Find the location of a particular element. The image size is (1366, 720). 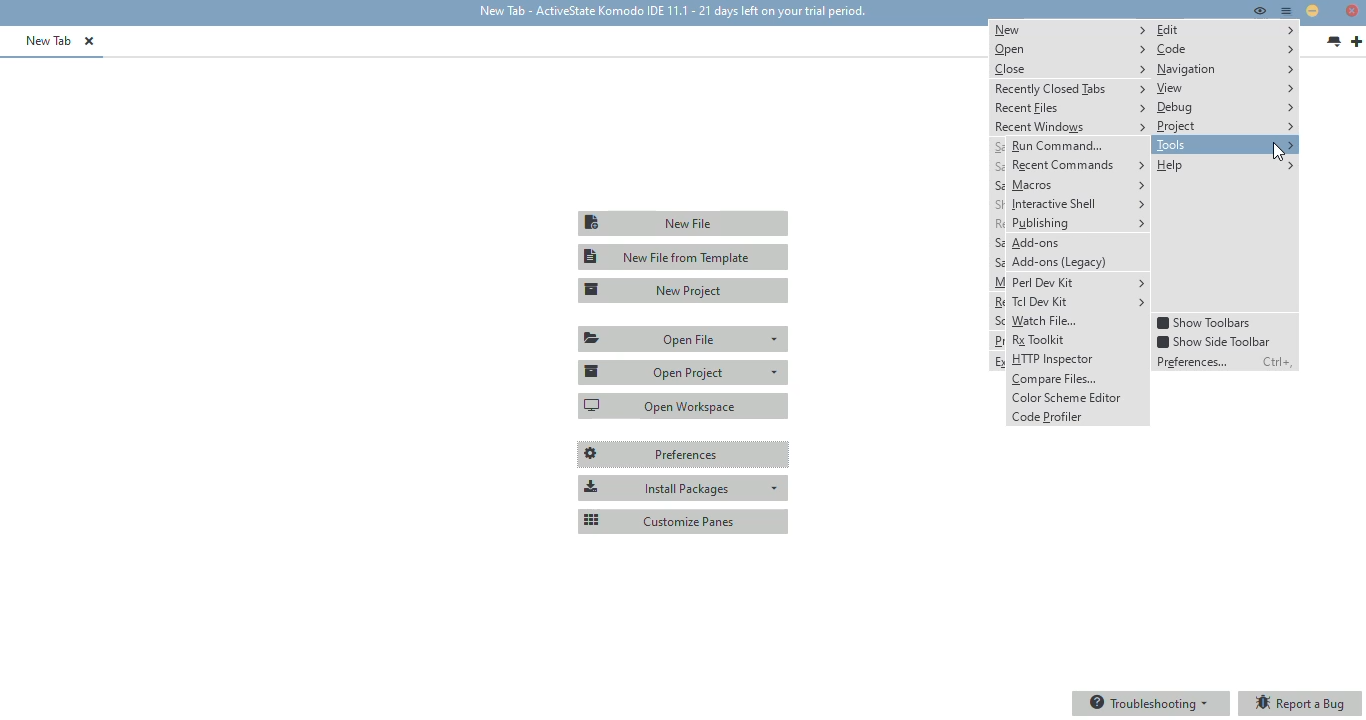

Watch file is located at coordinates (1078, 322).